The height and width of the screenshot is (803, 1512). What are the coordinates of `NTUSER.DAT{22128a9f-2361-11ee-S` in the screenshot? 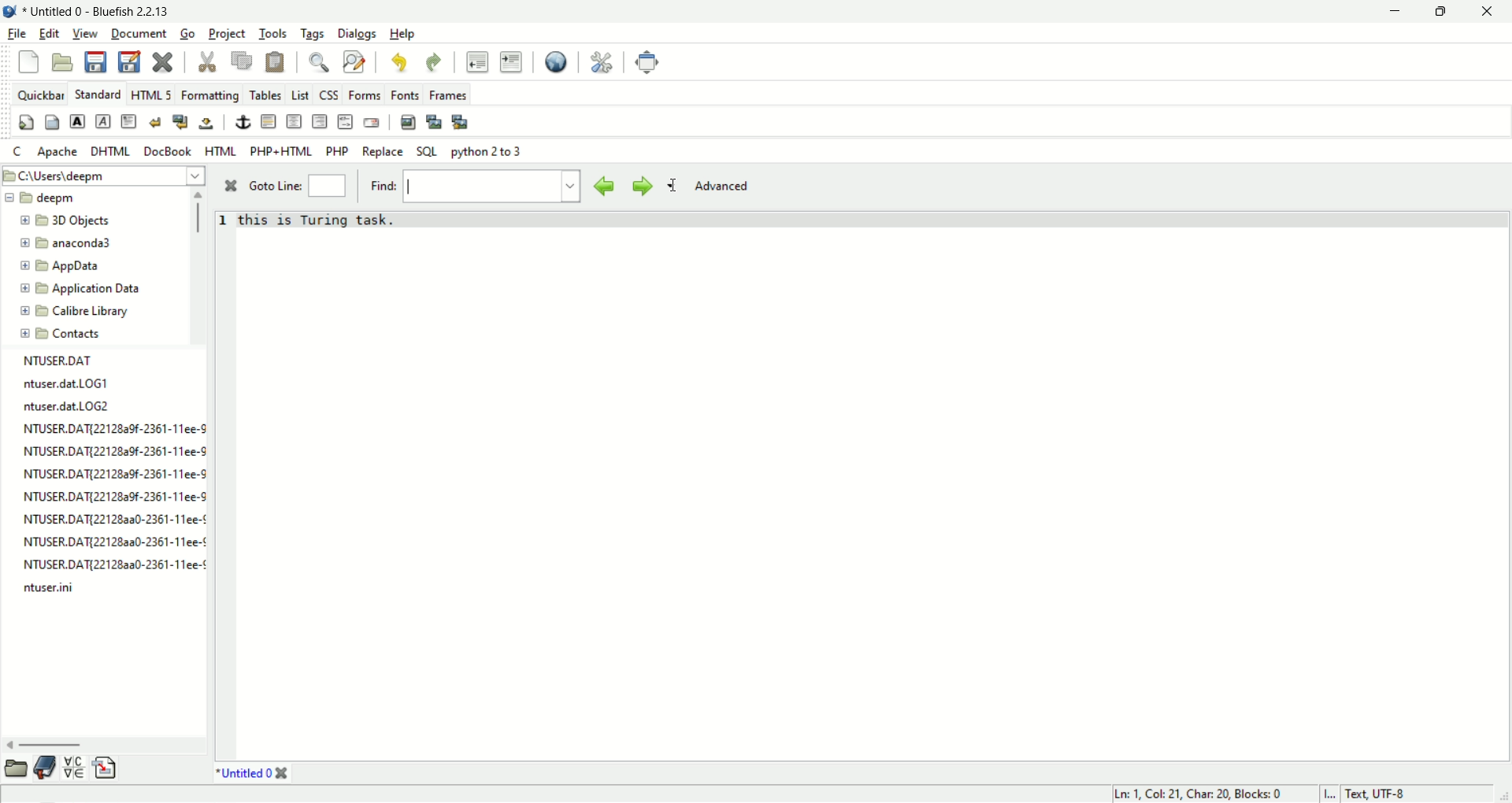 It's located at (106, 431).